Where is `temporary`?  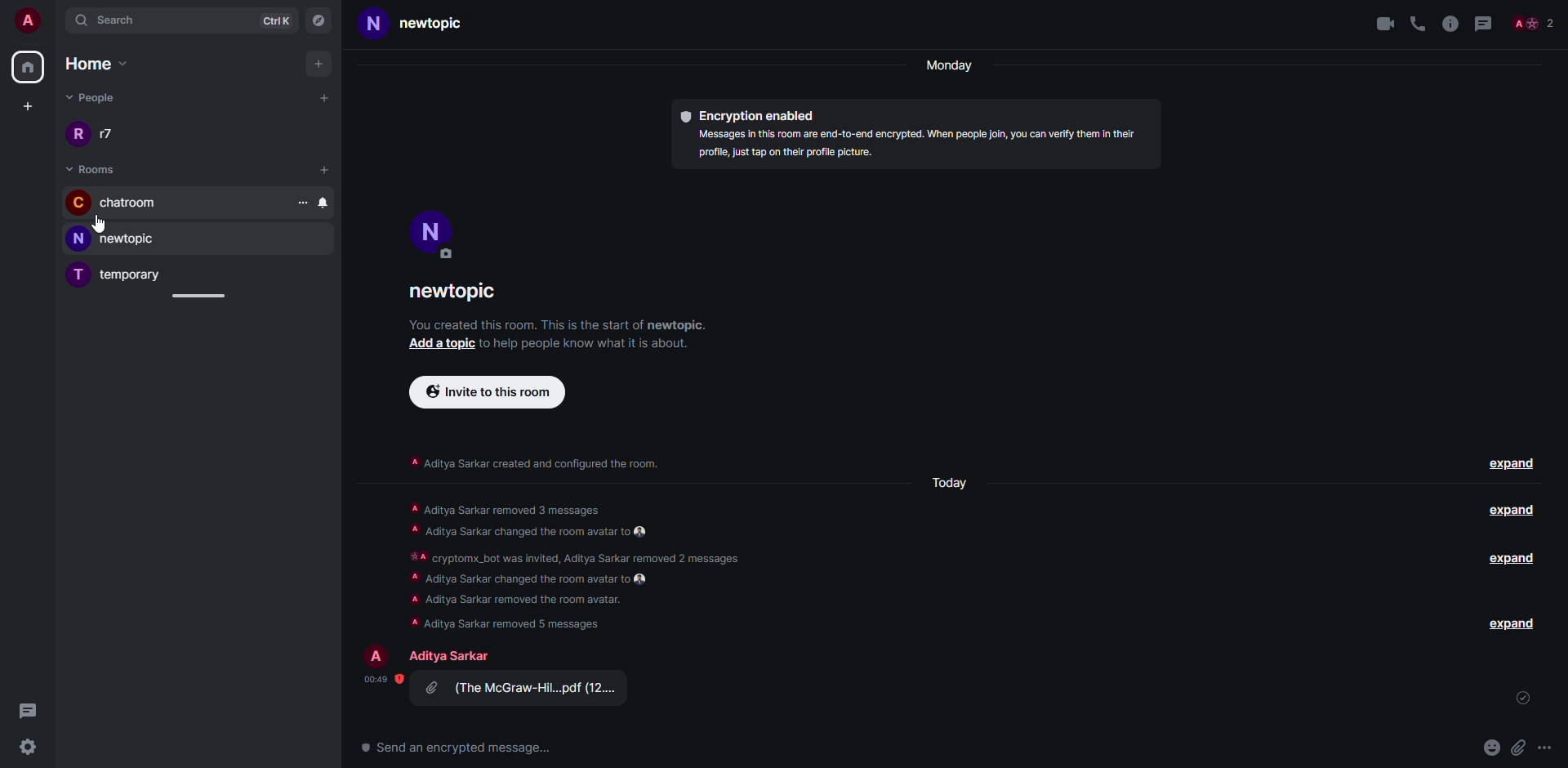
temporary is located at coordinates (125, 274).